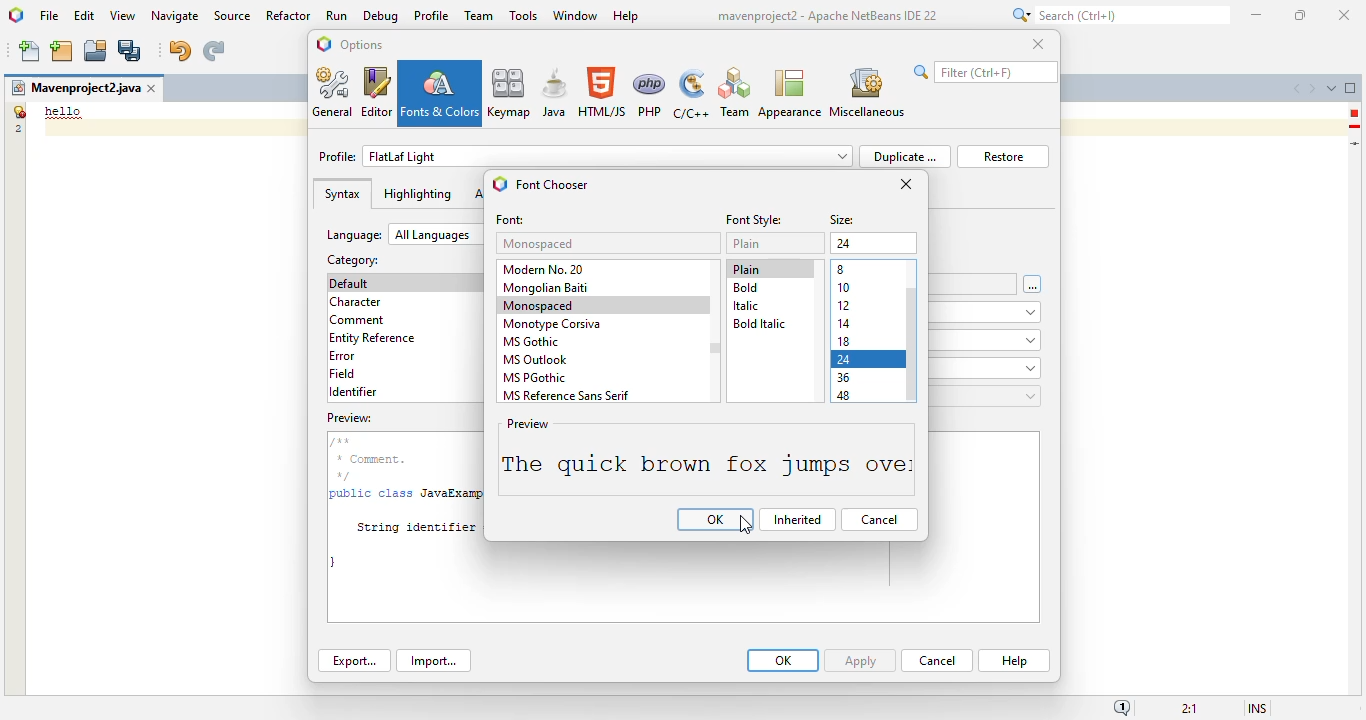 This screenshot has width=1366, height=720. Describe the element at coordinates (879, 520) in the screenshot. I see `cancel` at that location.